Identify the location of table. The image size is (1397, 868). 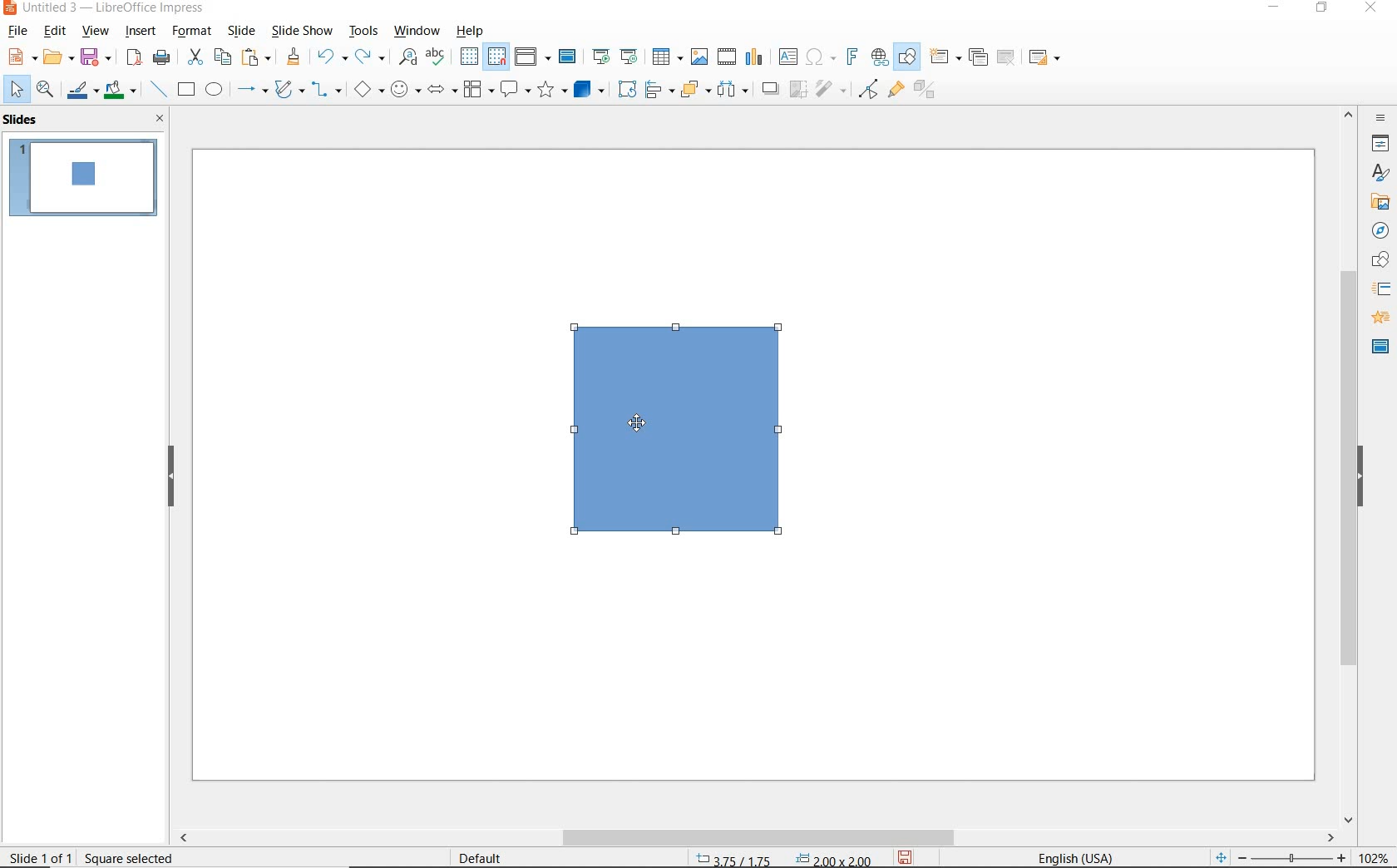
(666, 57).